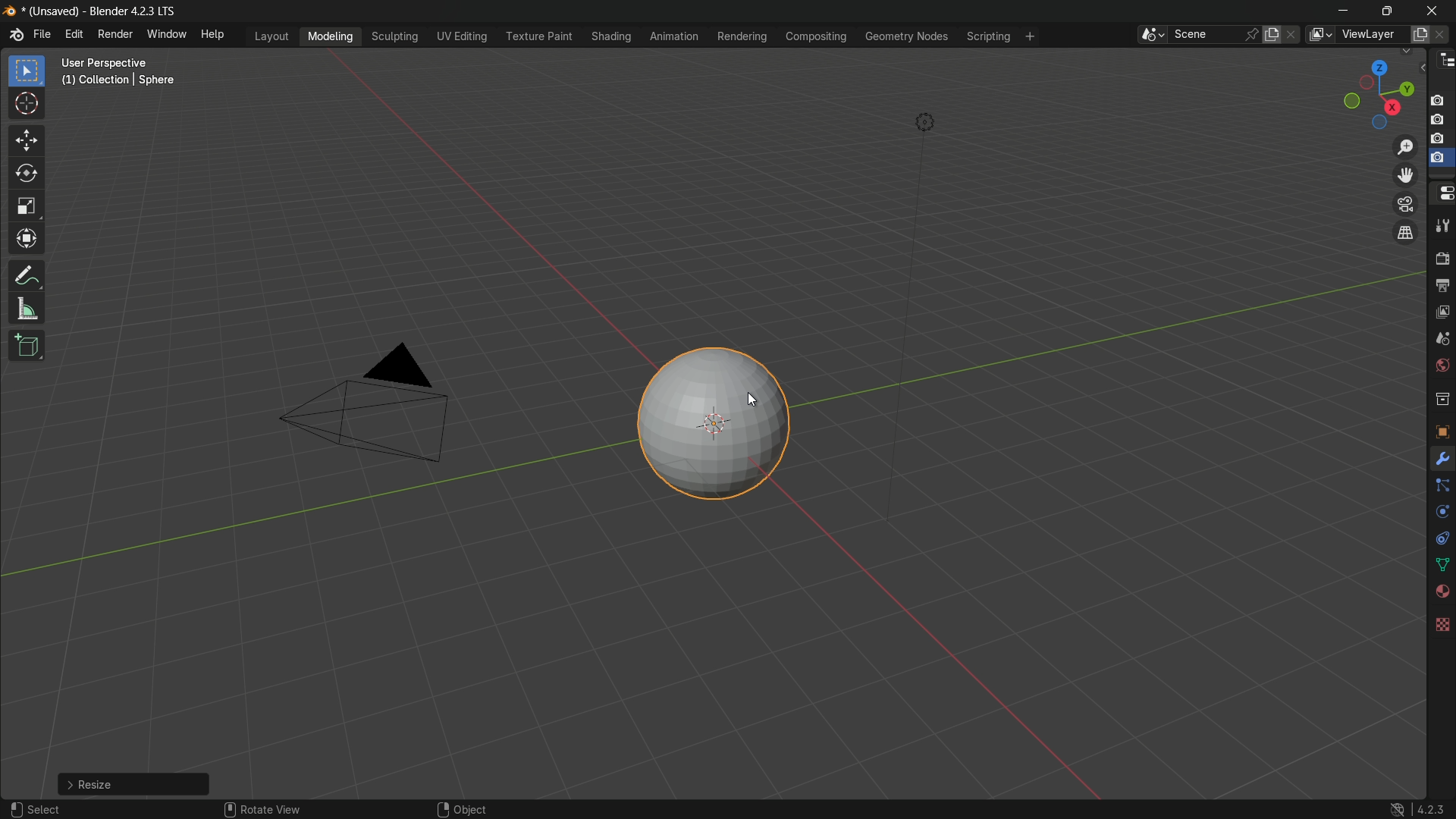 This screenshot has width=1456, height=819. I want to click on selected capture, so click(1439, 162).